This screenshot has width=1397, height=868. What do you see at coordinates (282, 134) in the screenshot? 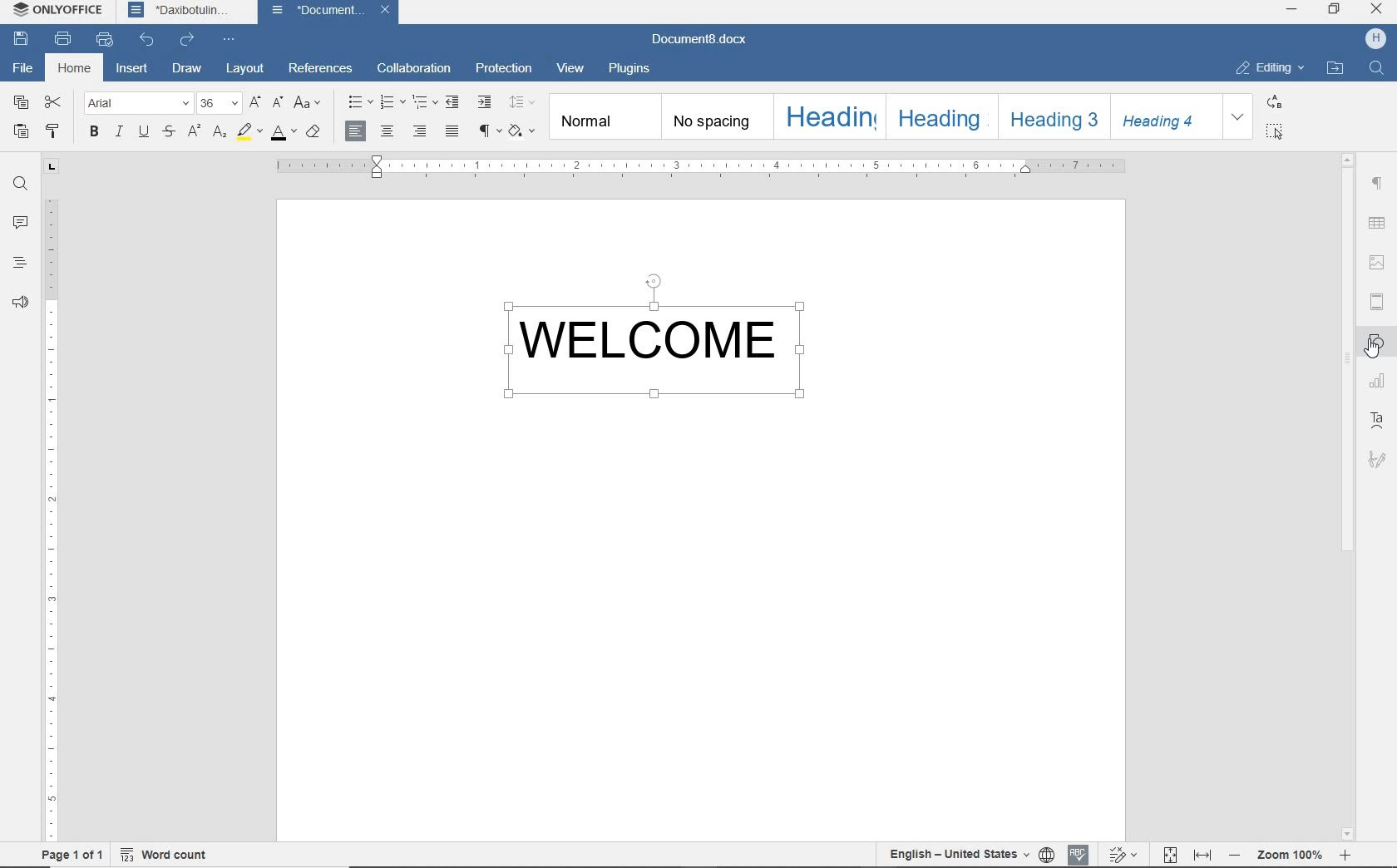
I see `FONT COLOR` at bounding box center [282, 134].